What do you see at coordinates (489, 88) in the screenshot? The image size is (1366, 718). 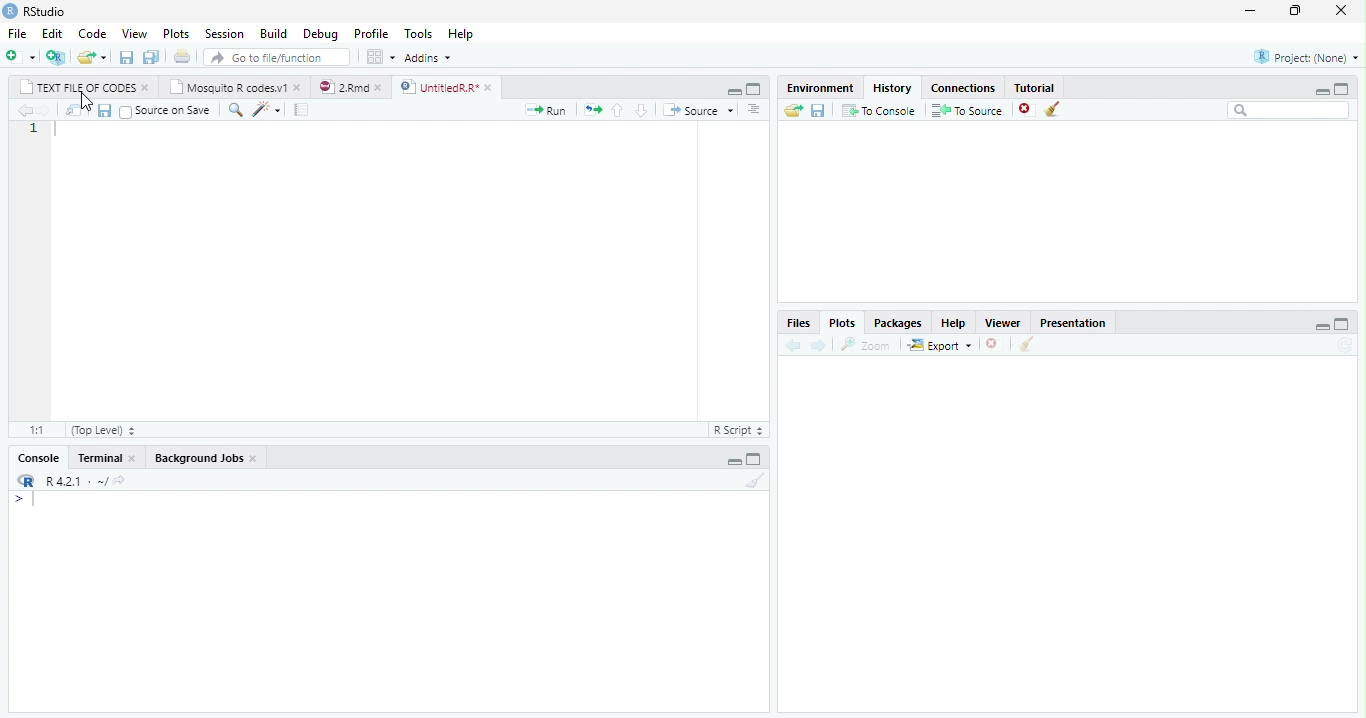 I see `close` at bounding box center [489, 88].